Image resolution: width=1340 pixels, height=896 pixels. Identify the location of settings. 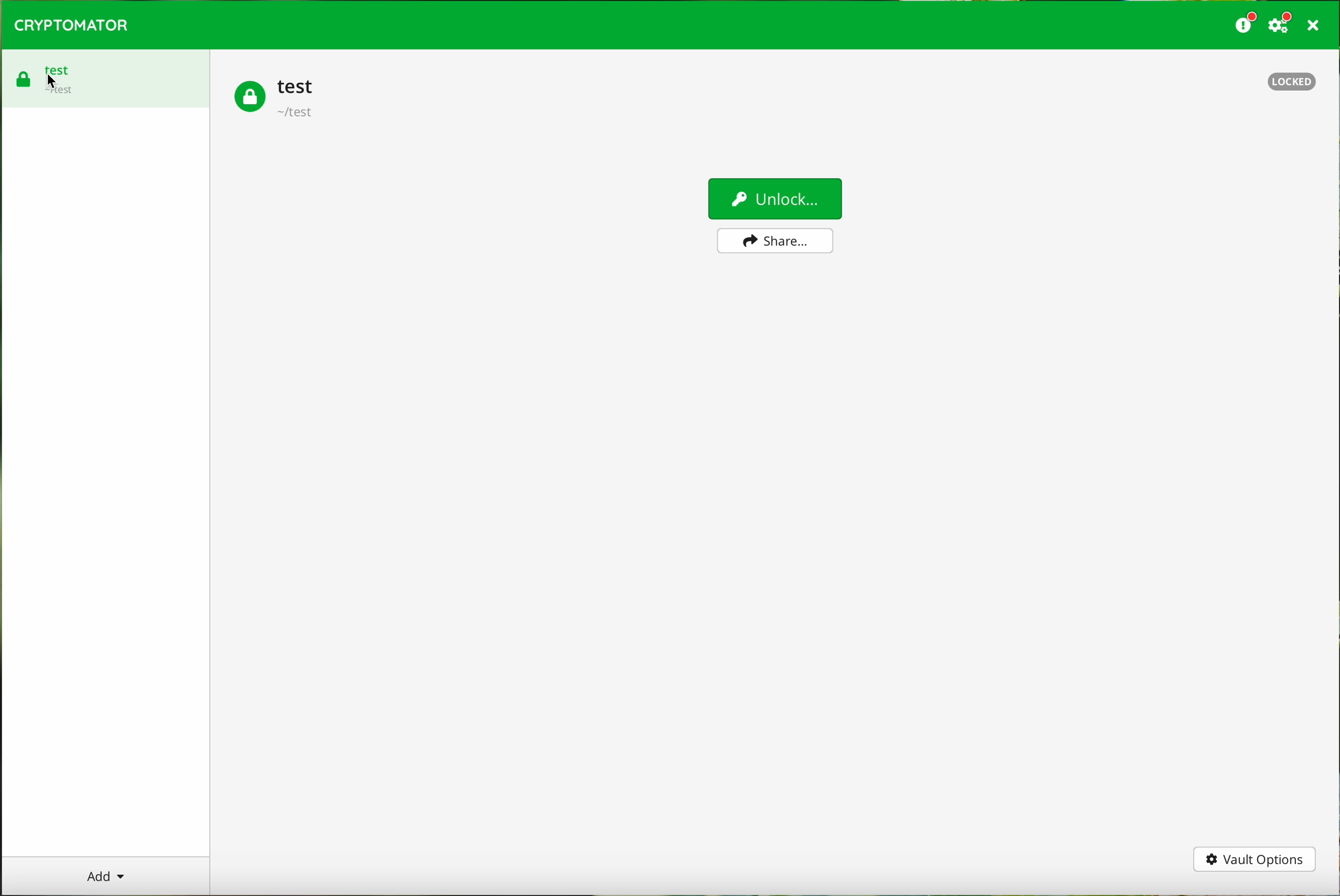
(1282, 23).